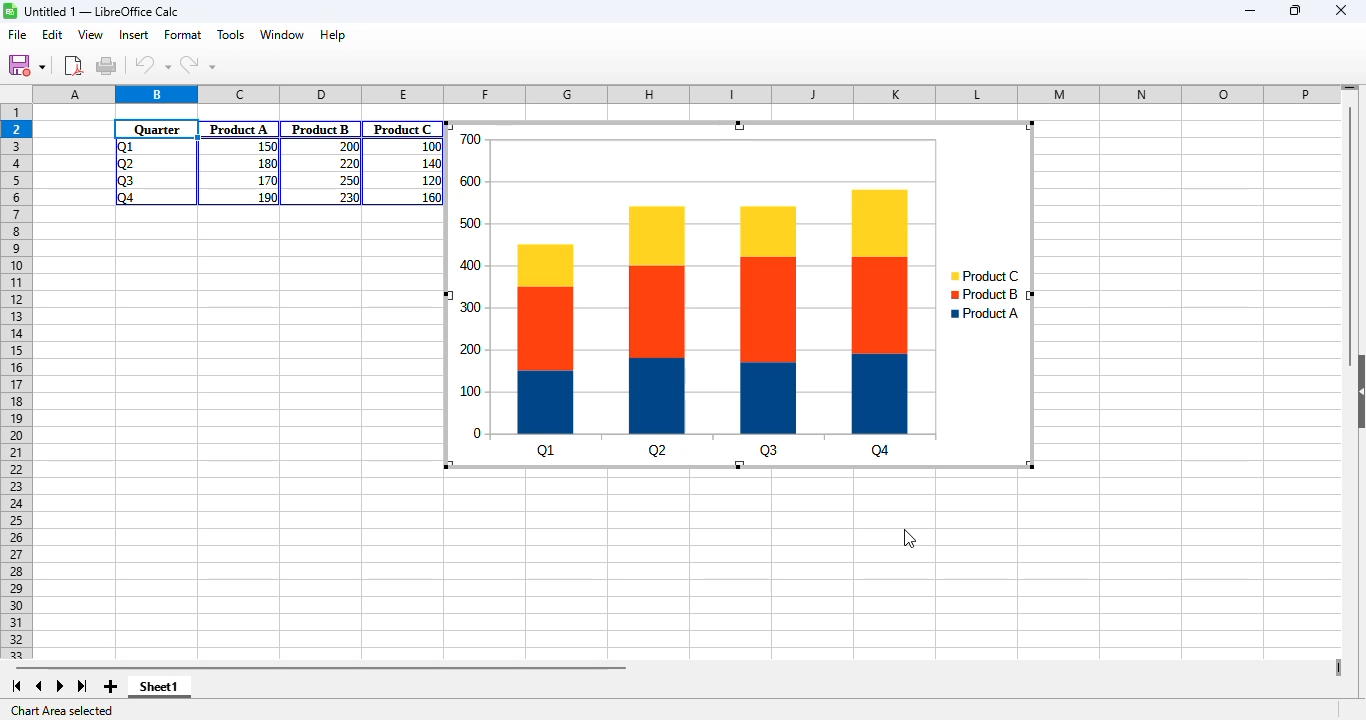  I want to click on 250, so click(349, 180).